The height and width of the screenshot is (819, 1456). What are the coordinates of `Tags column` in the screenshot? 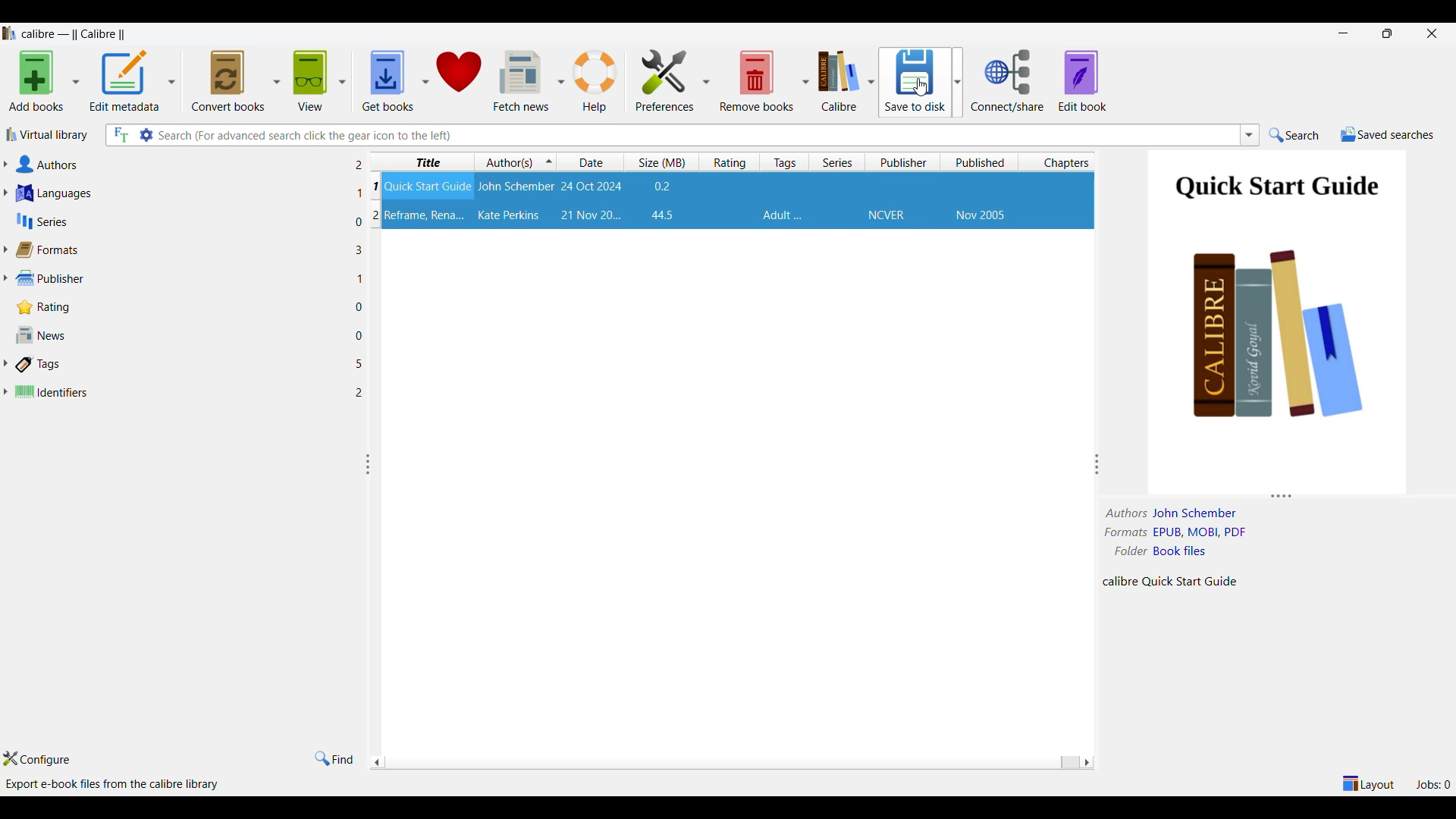 It's located at (785, 162).